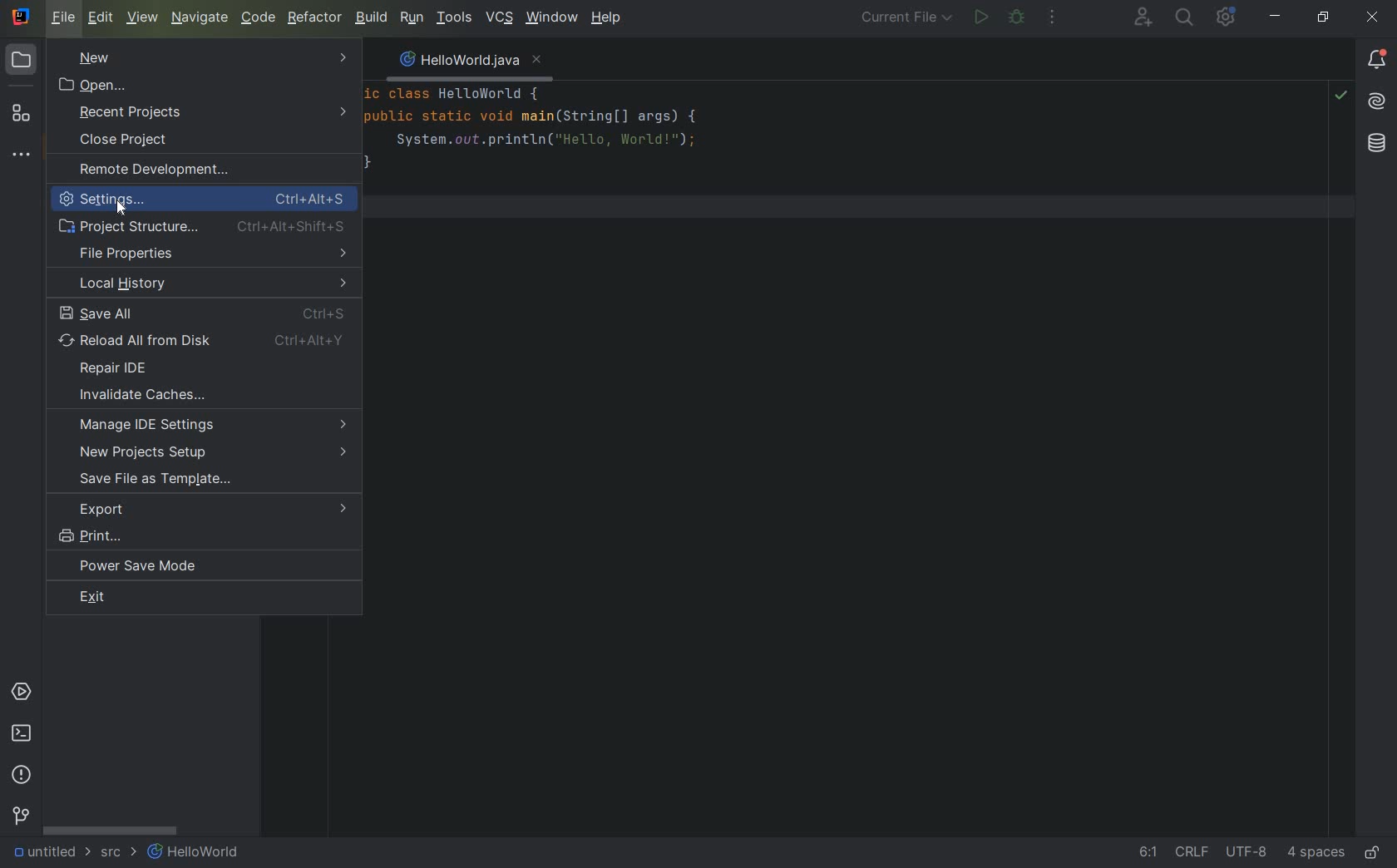  Describe the element at coordinates (22, 693) in the screenshot. I see `SERVICES` at that location.